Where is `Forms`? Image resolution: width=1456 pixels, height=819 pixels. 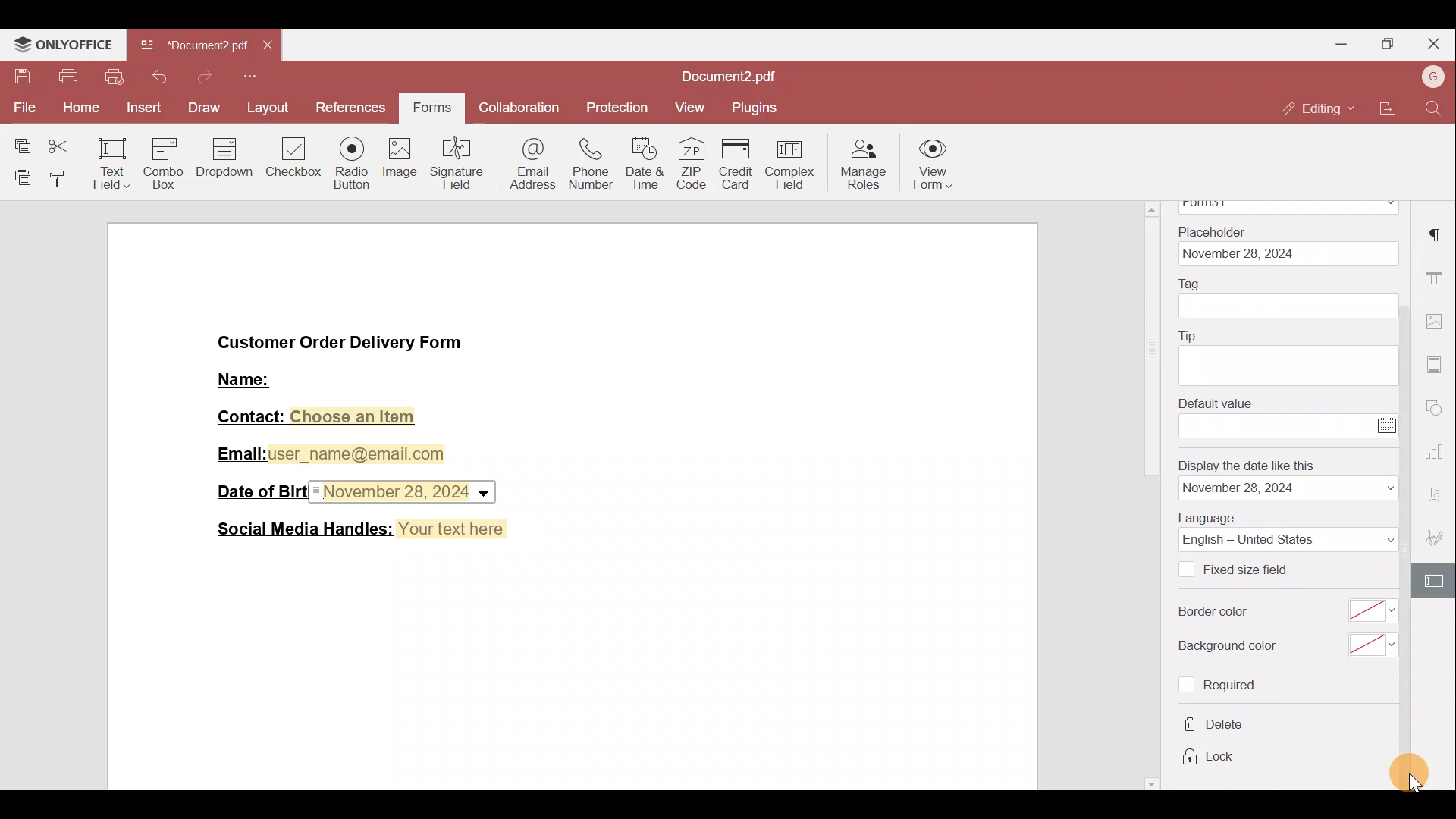
Forms is located at coordinates (430, 109).